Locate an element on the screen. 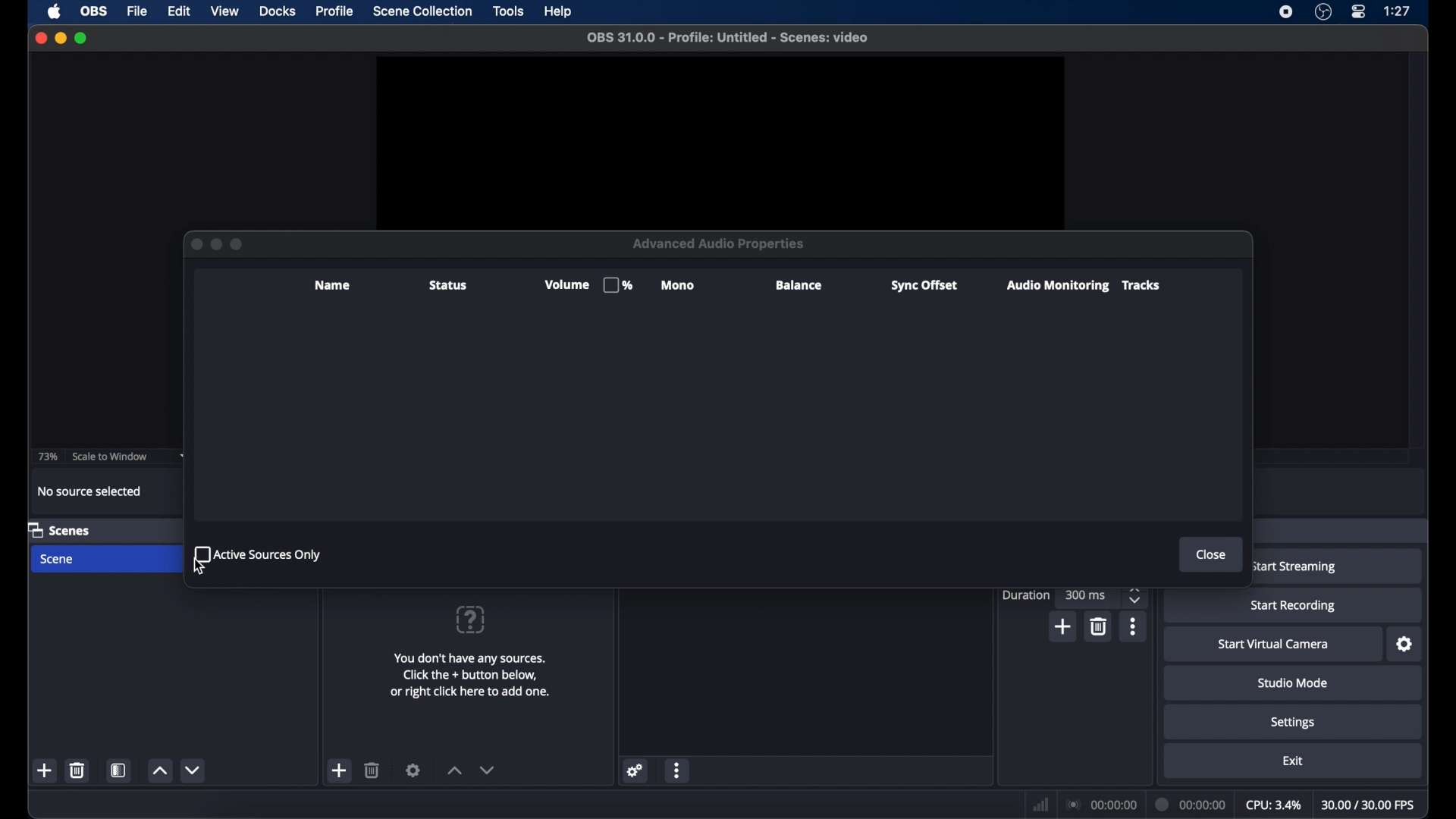 The width and height of the screenshot is (1456, 819). settings is located at coordinates (1294, 723).